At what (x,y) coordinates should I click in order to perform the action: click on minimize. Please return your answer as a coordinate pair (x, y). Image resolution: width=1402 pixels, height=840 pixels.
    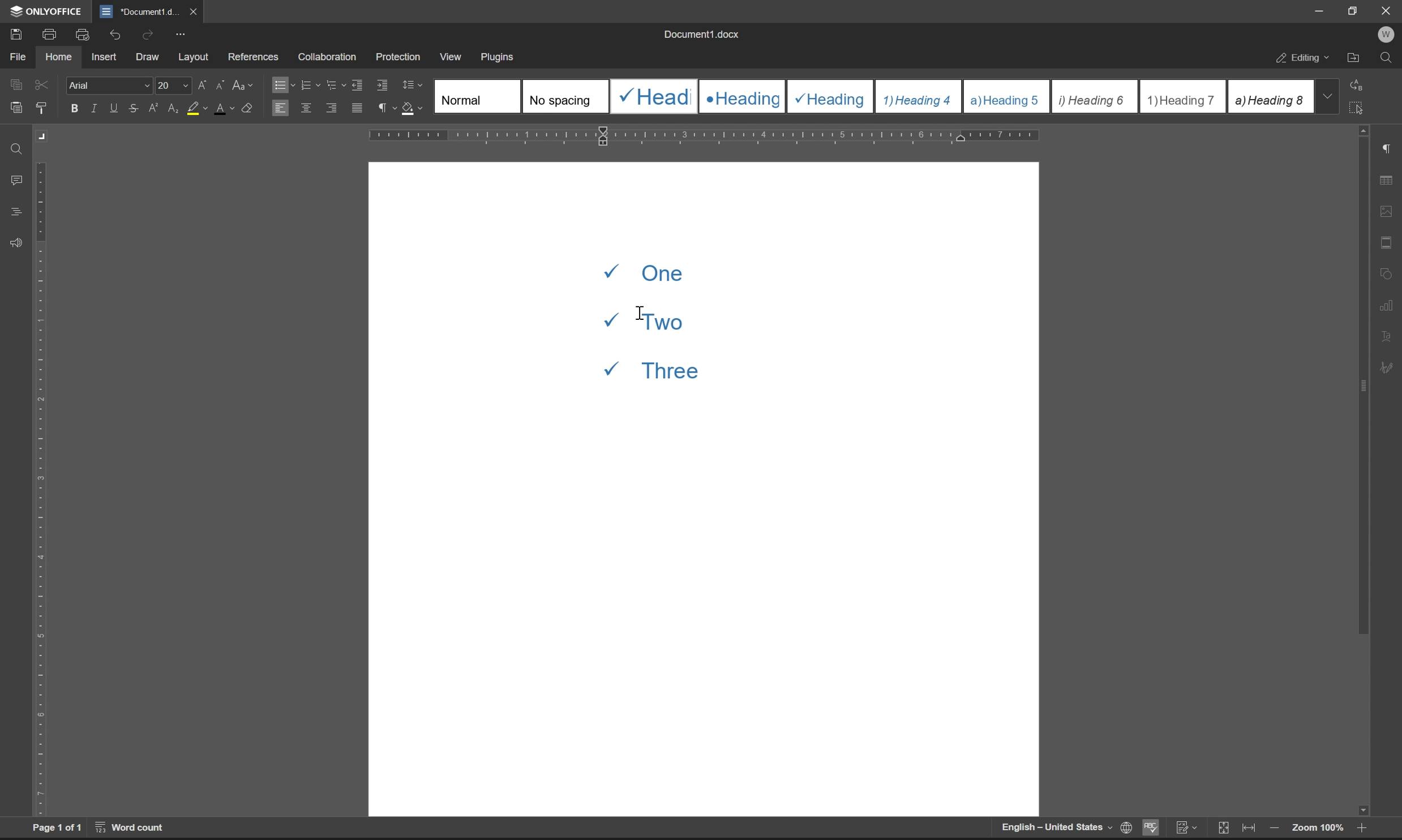
    Looking at the image, I should click on (1320, 11).